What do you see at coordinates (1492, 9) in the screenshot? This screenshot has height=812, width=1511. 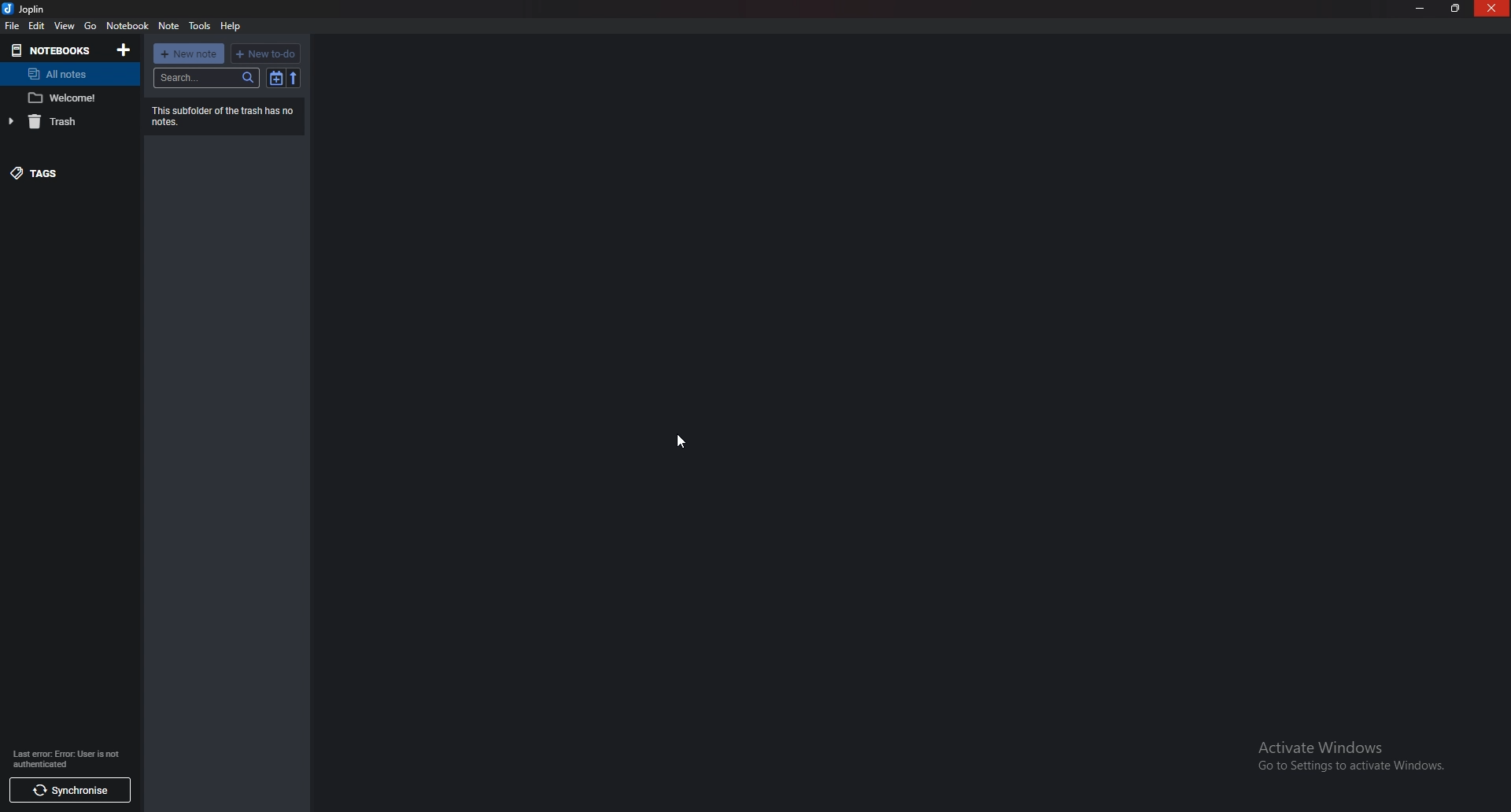 I see `close` at bounding box center [1492, 9].